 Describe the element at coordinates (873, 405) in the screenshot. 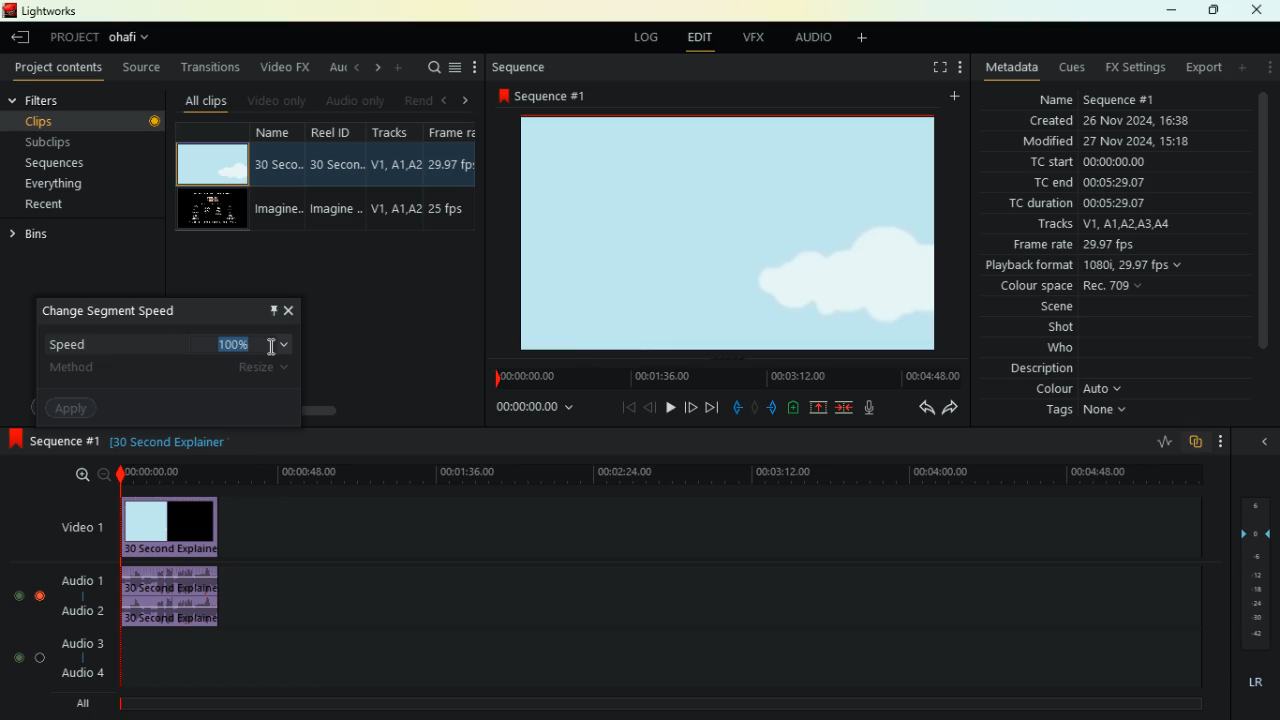

I see `mic` at that location.